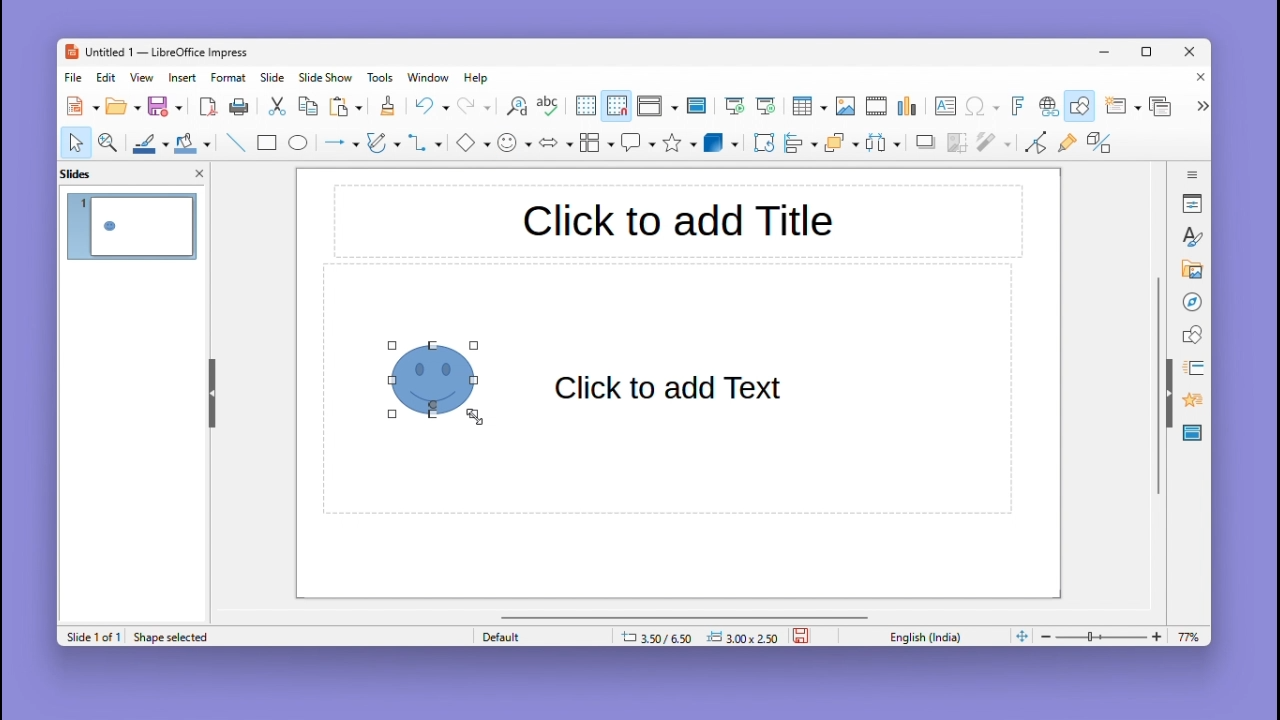  I want to click on display grid, so click(584, 107).